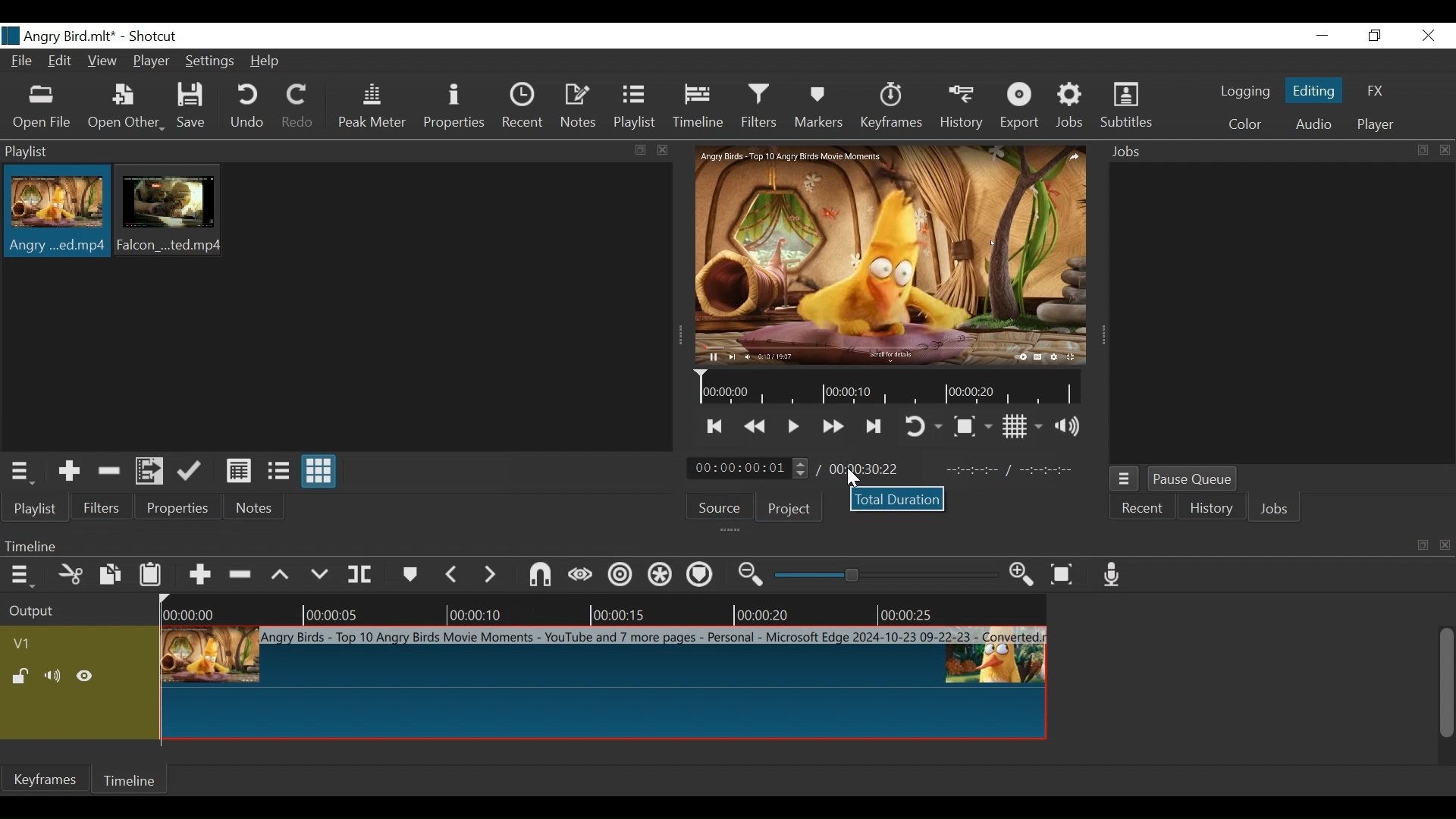 Image resolution: width=1456 pixels, height=819 pixels. What do you see at coordinates (1026, 426) in the screenshot?
I see `Toggle display grid on player` at bounding box center [1026, 426].